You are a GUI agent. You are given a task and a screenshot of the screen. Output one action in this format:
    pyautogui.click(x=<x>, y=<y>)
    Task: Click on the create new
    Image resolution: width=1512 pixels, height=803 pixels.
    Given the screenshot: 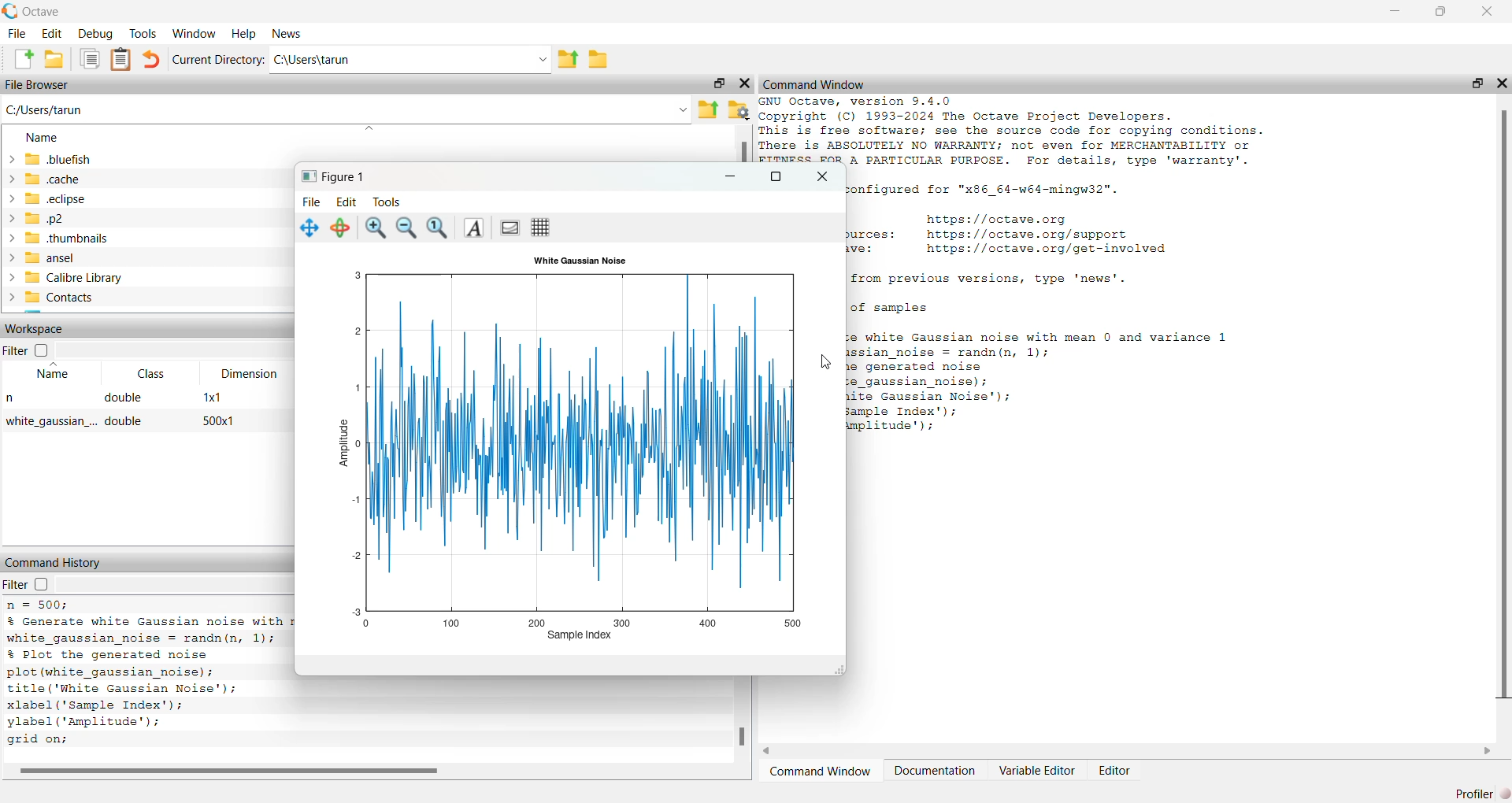 What is the action you would take?
    pyautogui.click(x=22, y=59)
    